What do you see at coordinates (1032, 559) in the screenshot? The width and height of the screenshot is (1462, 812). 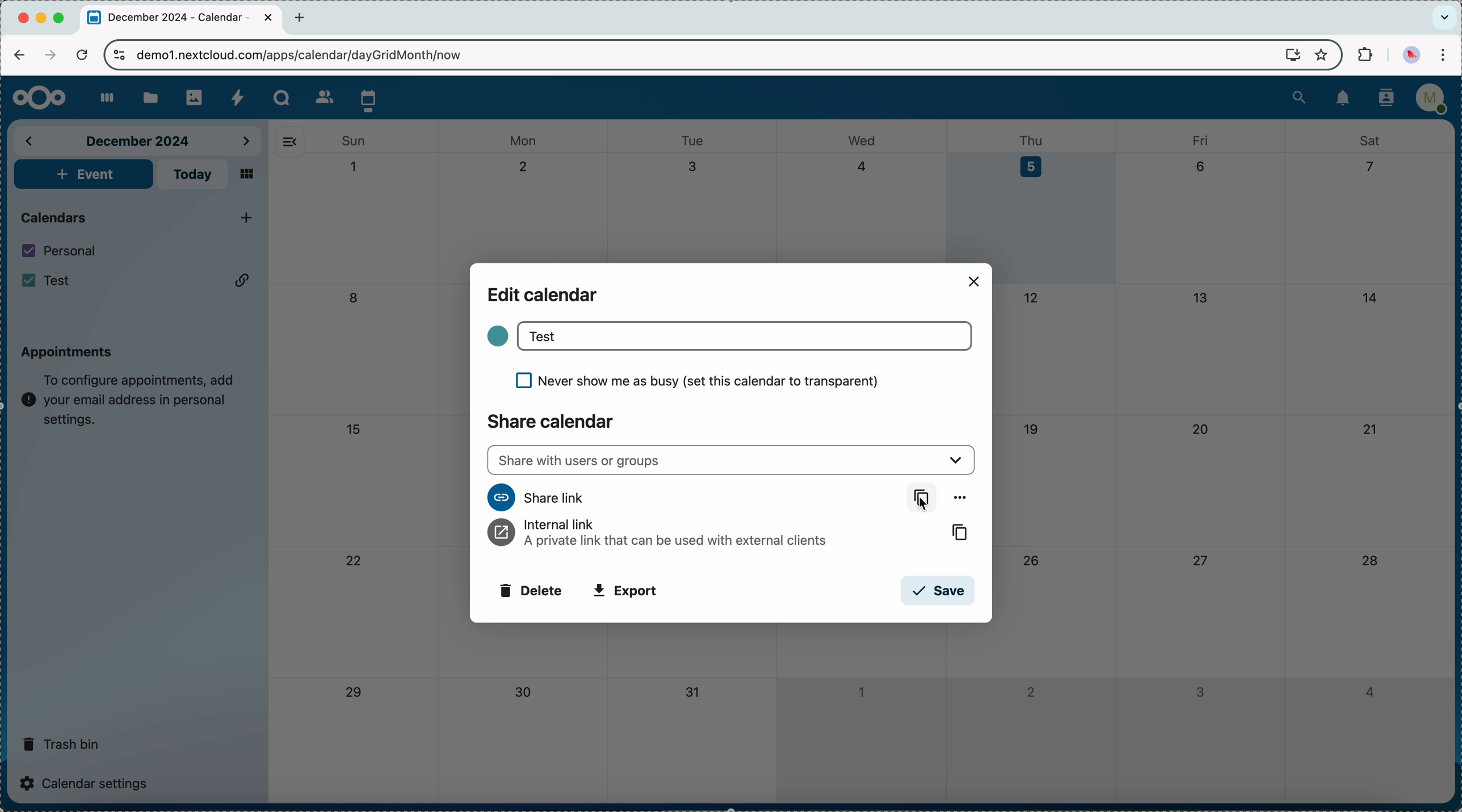 I see `26` at bounding box center [1032, 559].